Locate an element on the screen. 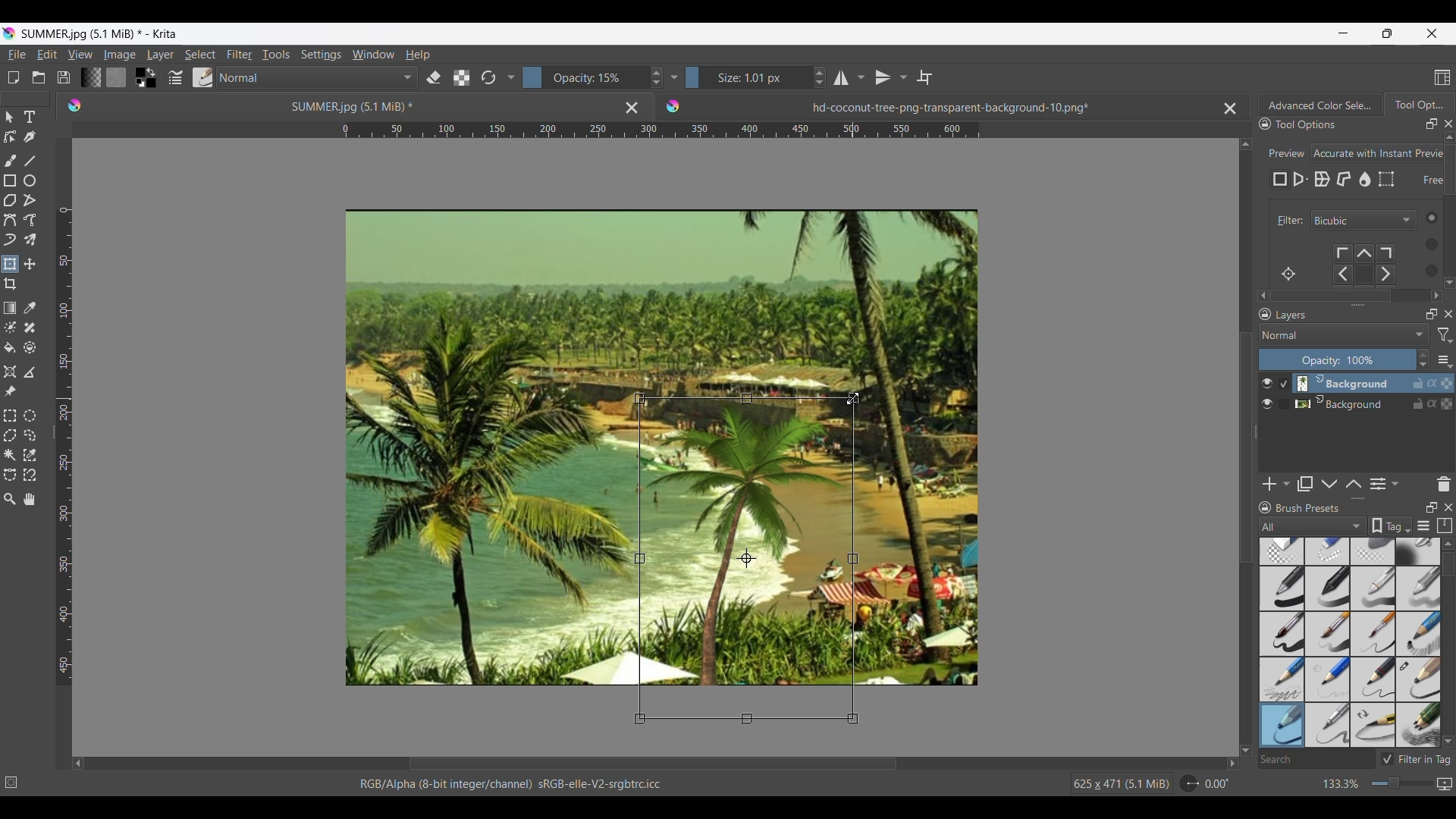 The height and width of the screenshot is (819, 1456). Quick slide of vertical slide bar to top is located at coordinates (1449, 137).